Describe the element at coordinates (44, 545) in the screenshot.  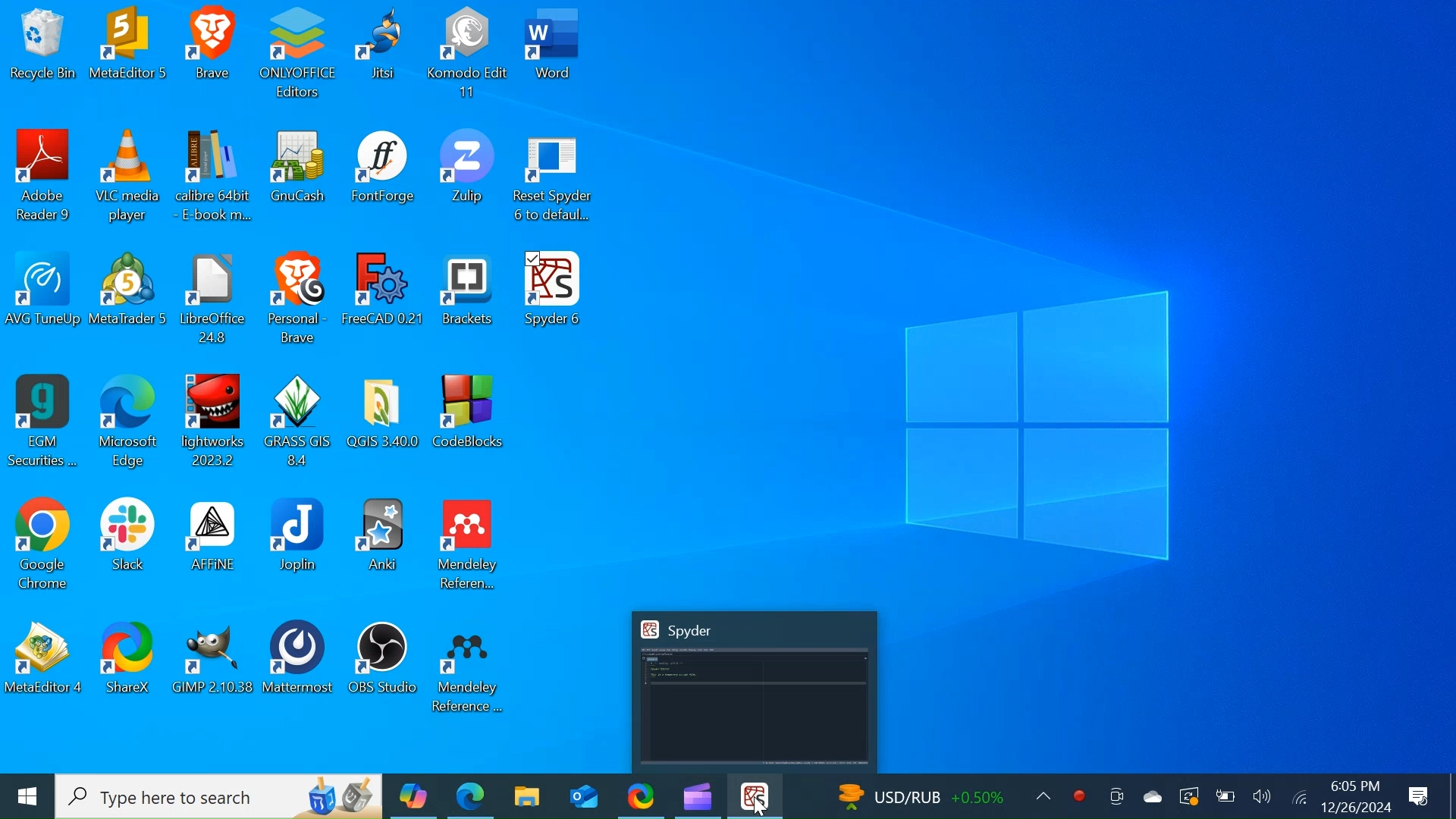
I see `Google Chrome Desktop Icon` at that location.